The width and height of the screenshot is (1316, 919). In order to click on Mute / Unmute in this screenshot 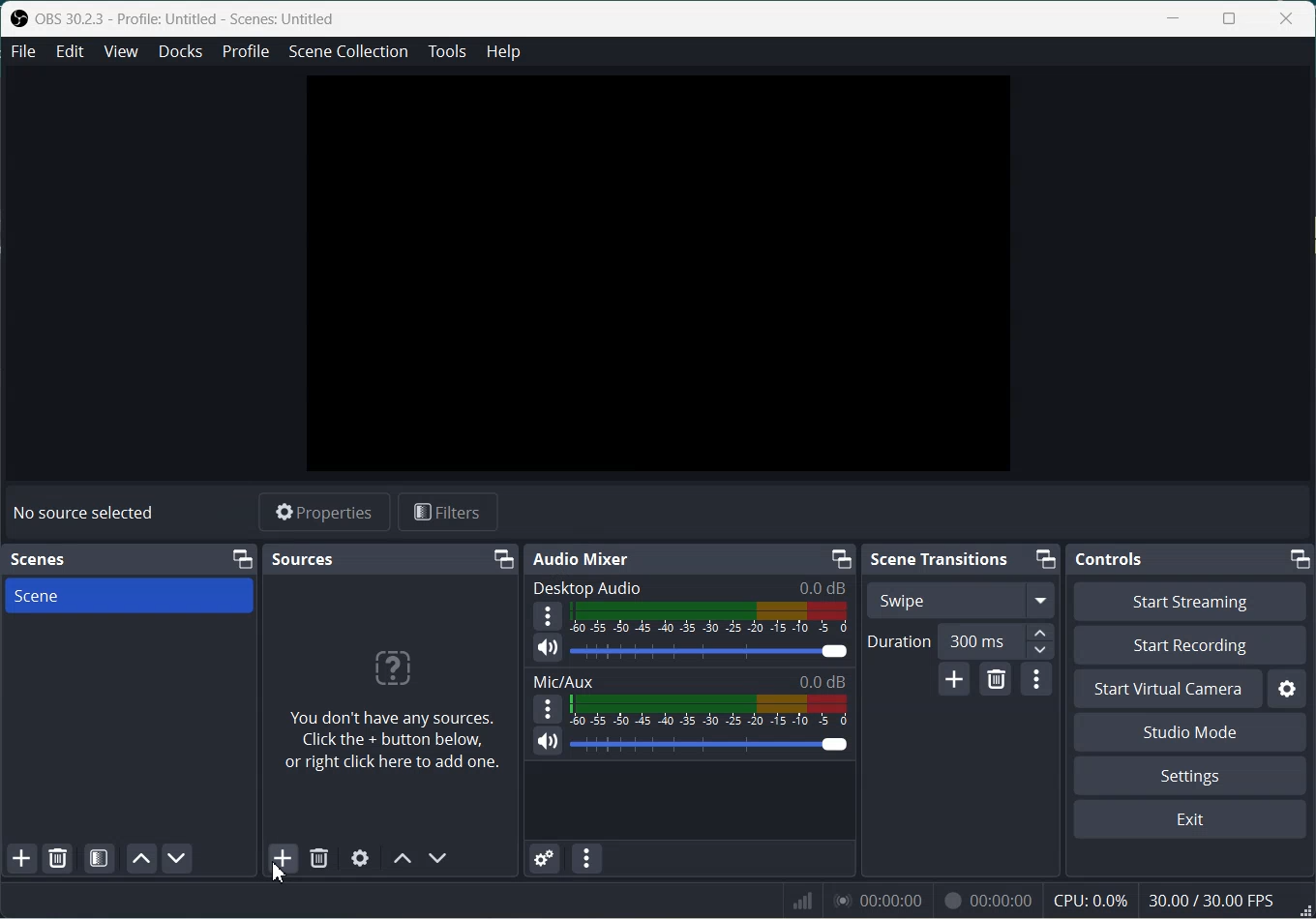, I will do `click(549, 742)`.